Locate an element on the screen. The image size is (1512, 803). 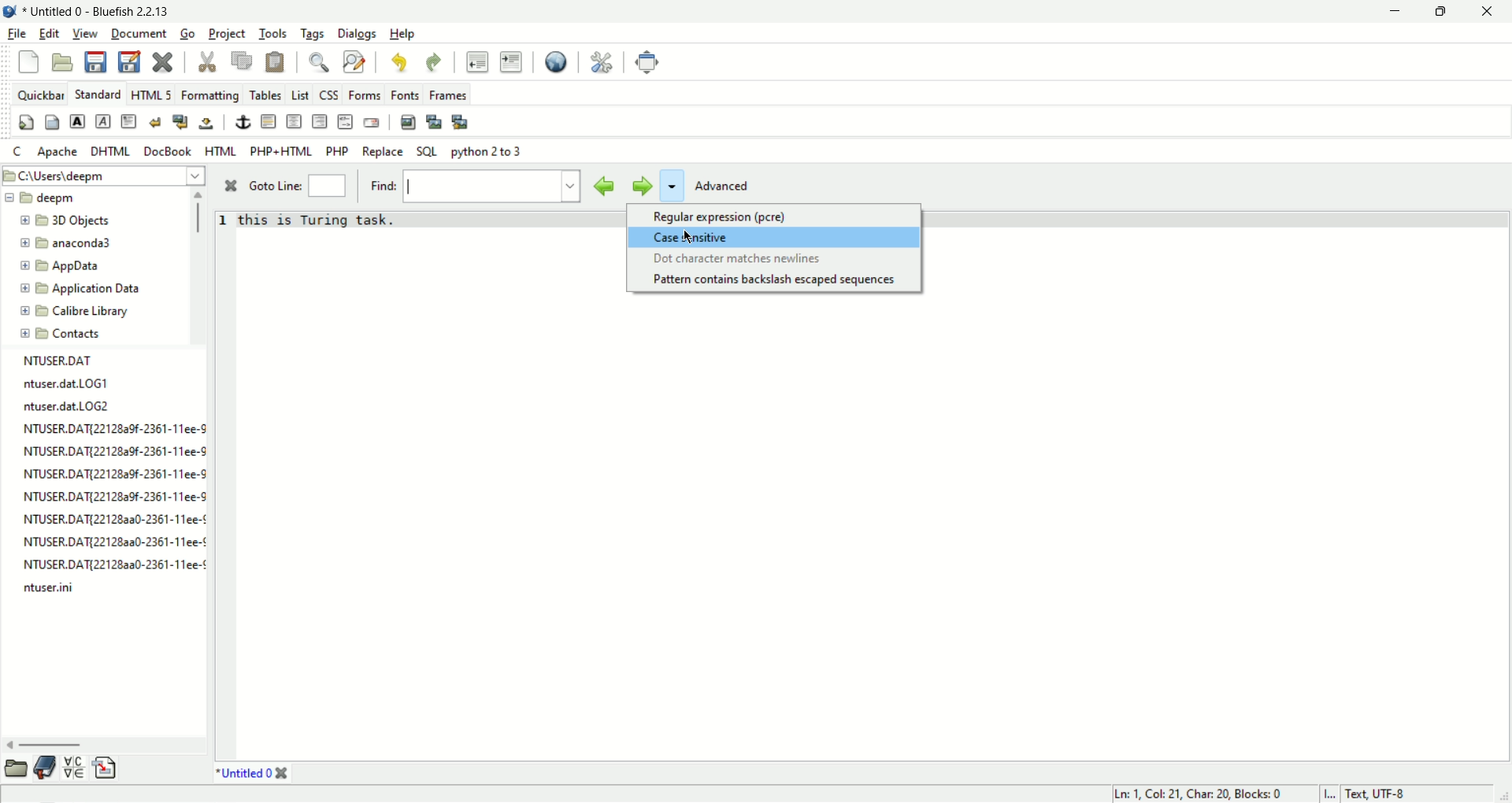
NTUSER.DAT{221282%-2361-11ee-8 is located at coordinates (106, 451).